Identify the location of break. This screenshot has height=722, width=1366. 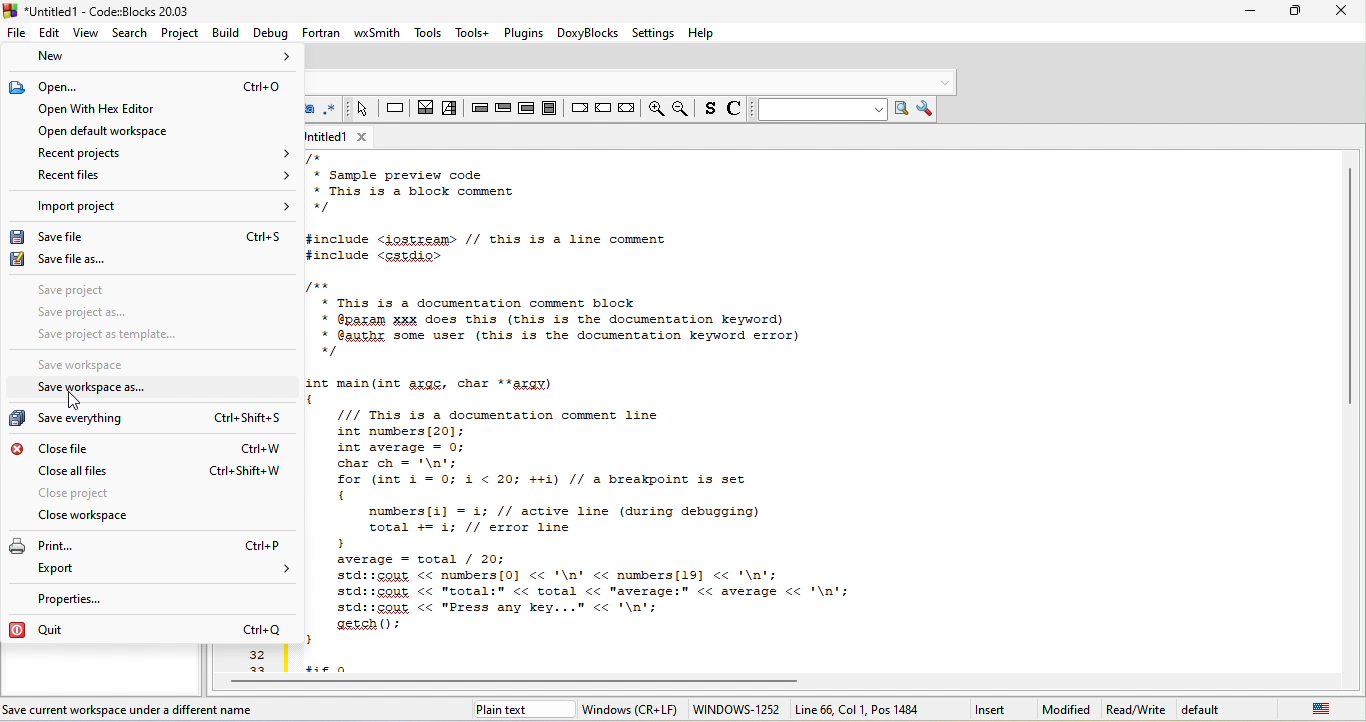
(578, 106).